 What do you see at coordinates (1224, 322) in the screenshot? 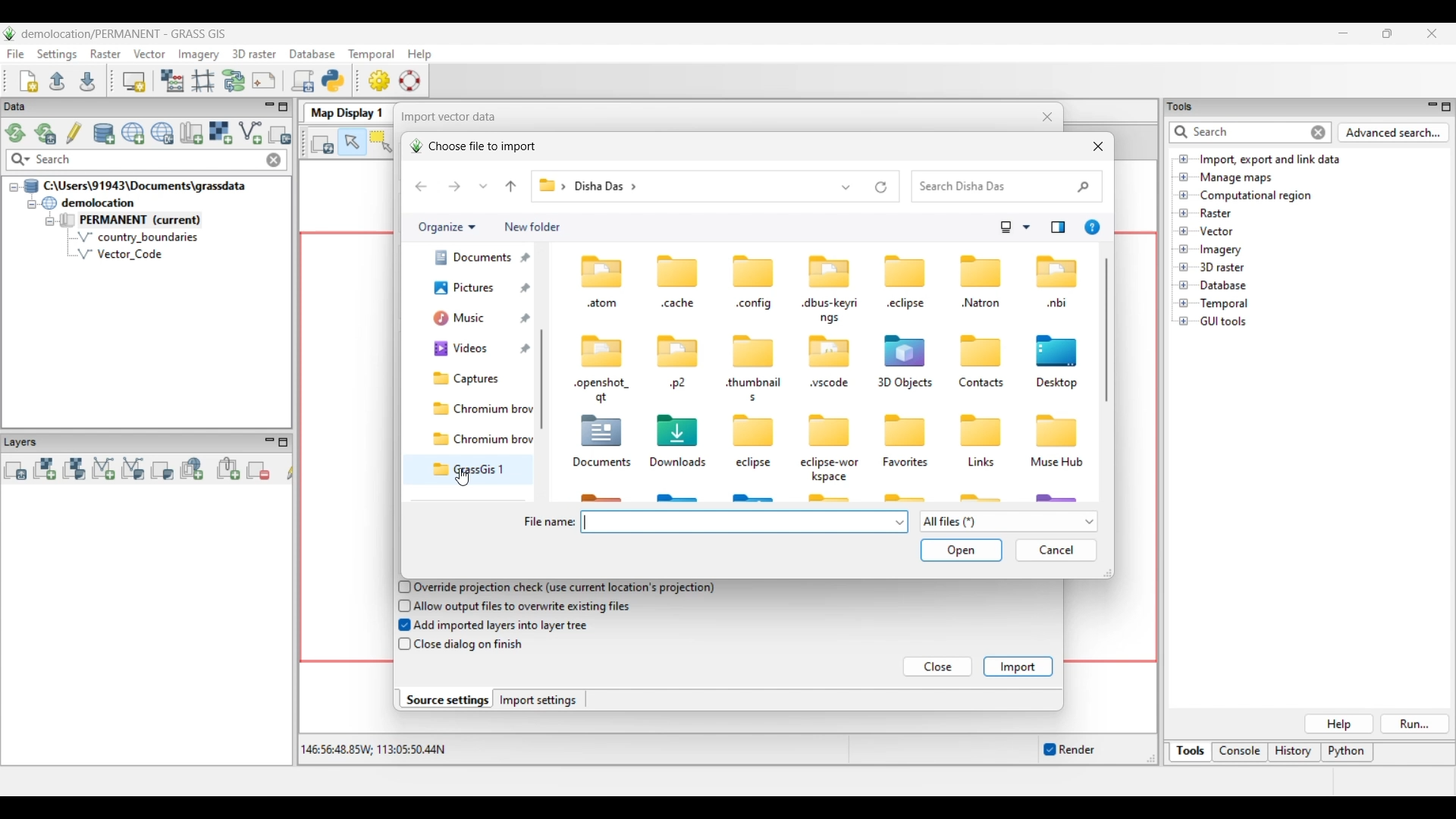
I see `Double click to see files under GUI tools` at bounding box center [1224, 322].